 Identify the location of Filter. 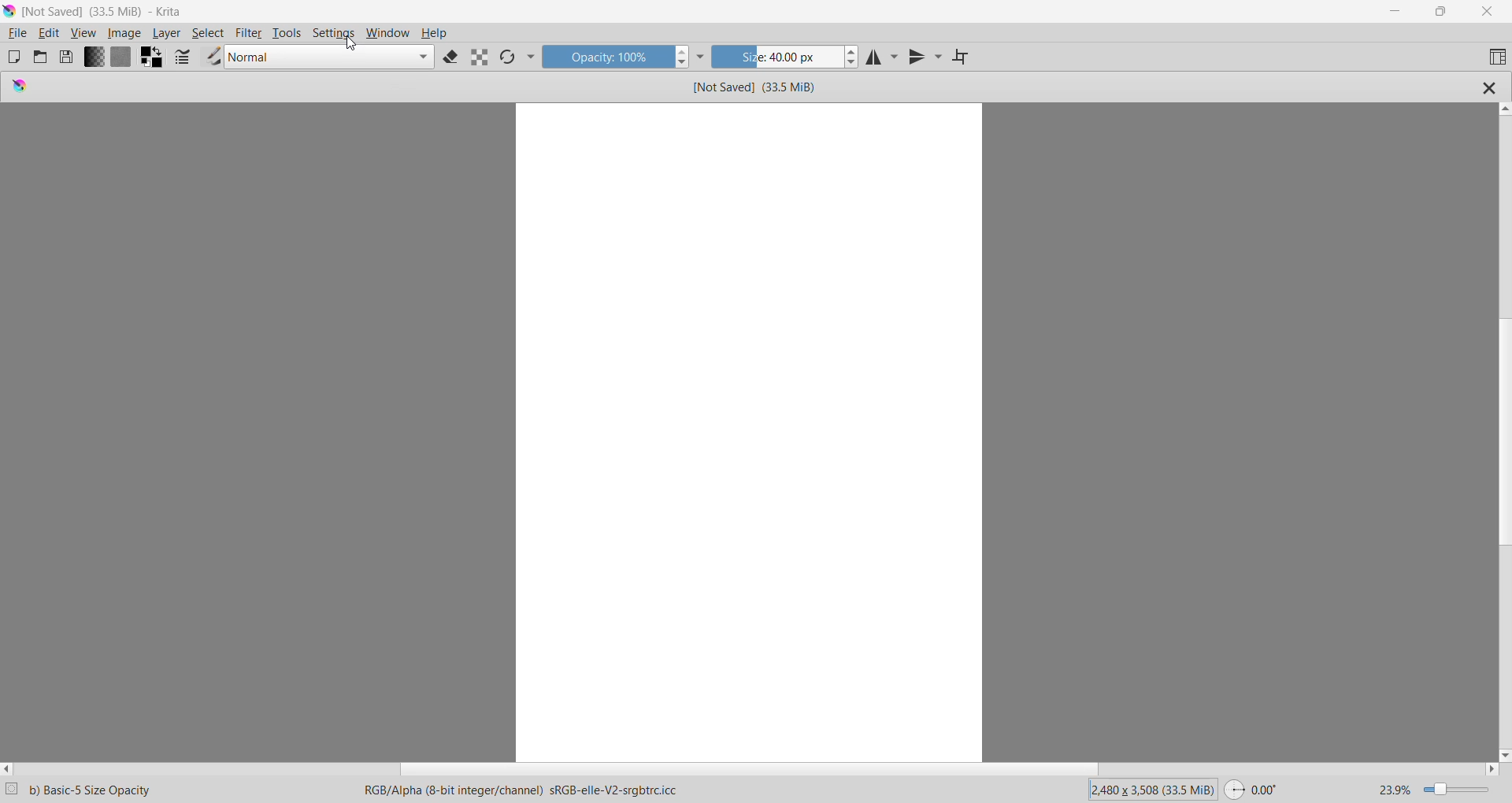
(249, 31).